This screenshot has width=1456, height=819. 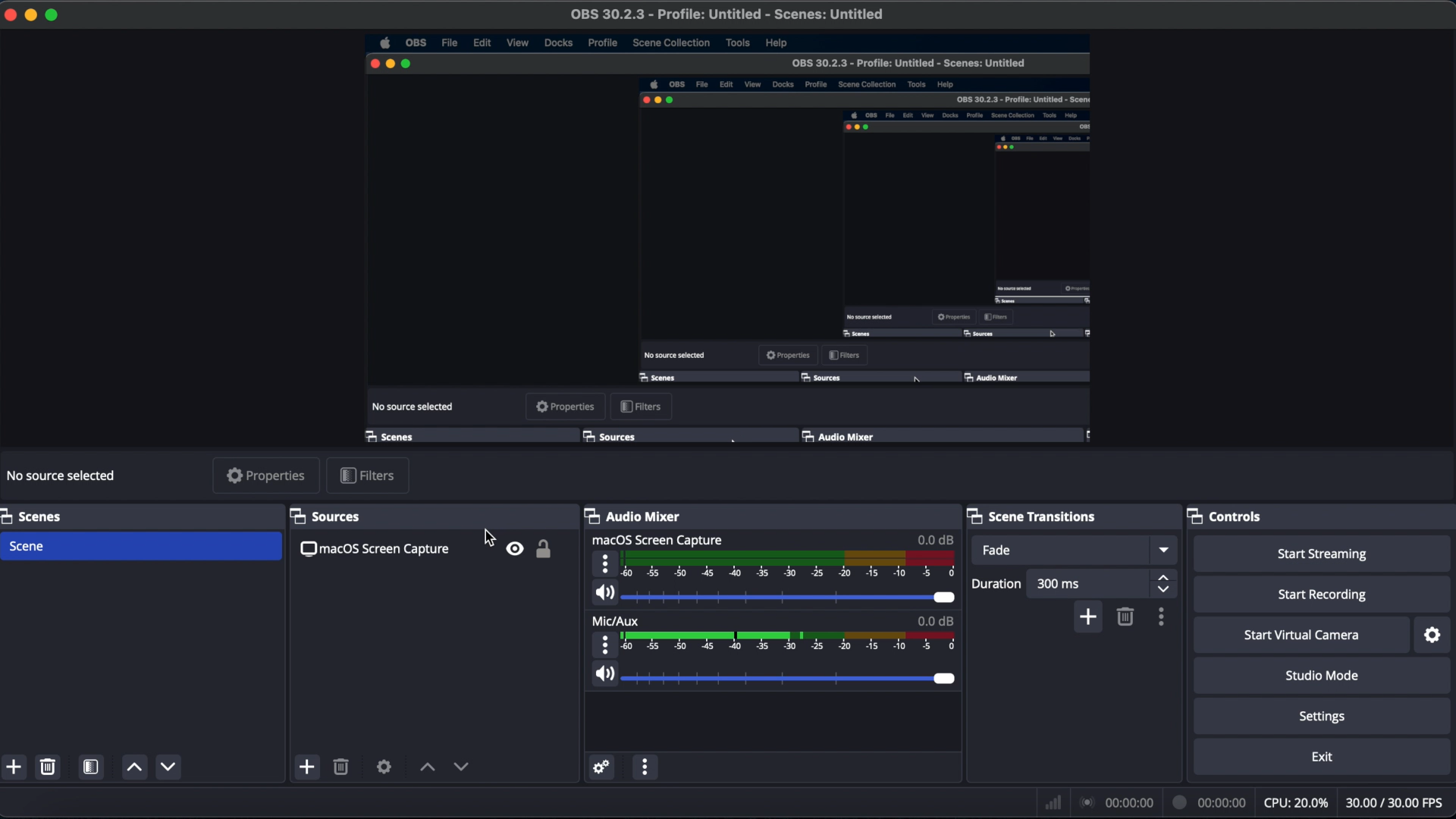 What do you see at coordinates (1031, 516) in the screenshot?
I see `scene transitions` at bounding box center [1031, 516].